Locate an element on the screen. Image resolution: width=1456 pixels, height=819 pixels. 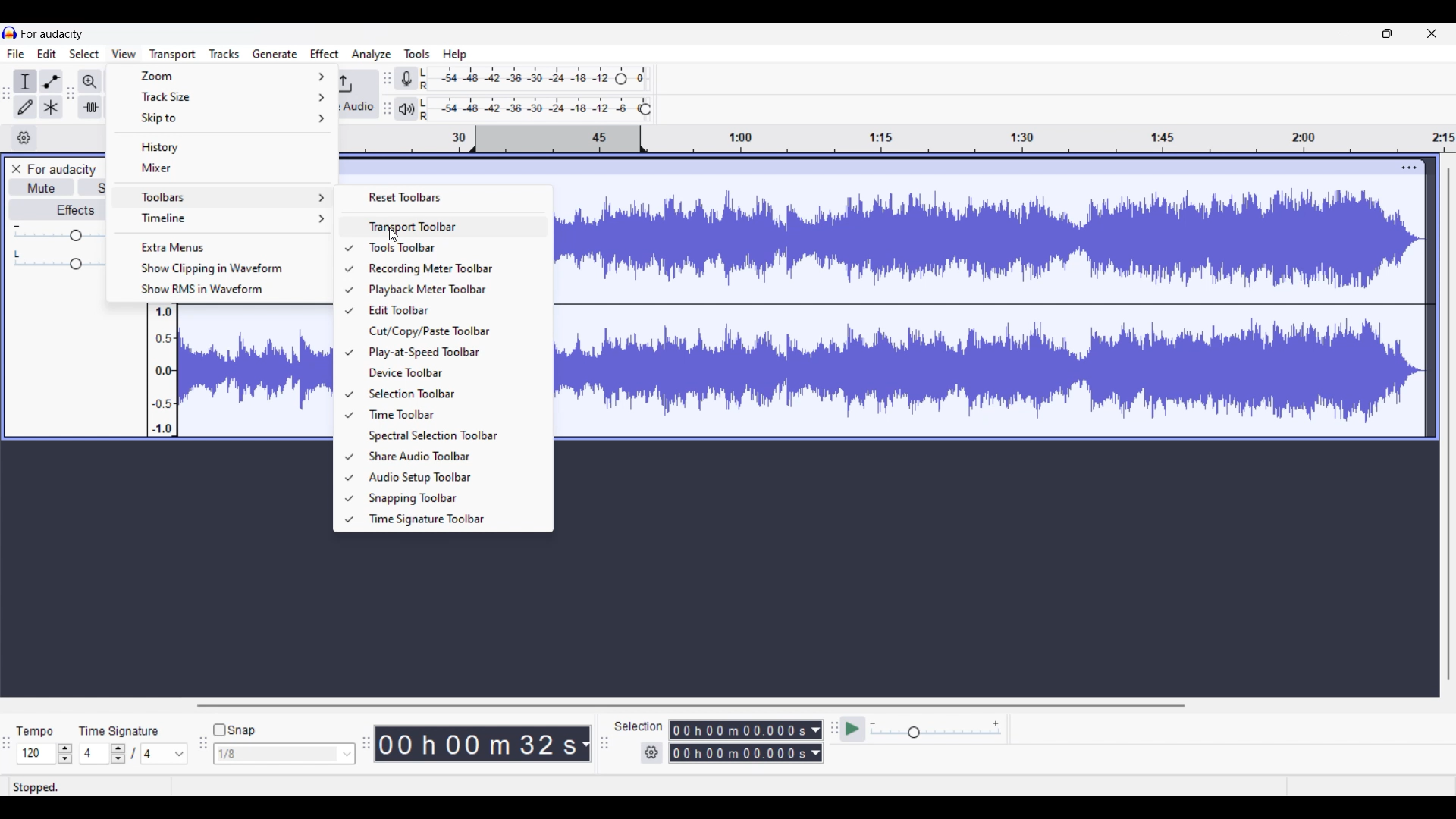
Duration measurement is located at coordinates (815, 753).